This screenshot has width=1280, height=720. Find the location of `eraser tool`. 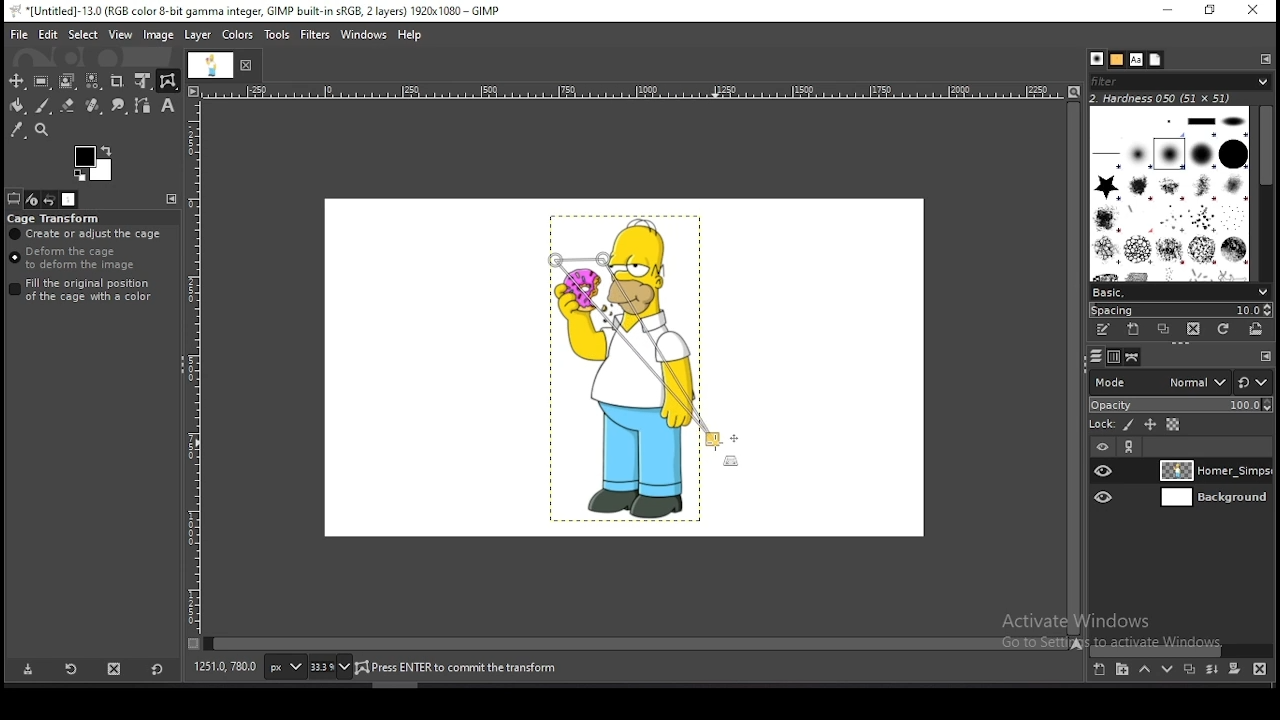

eraser tool is located at coordinates (68, 106).